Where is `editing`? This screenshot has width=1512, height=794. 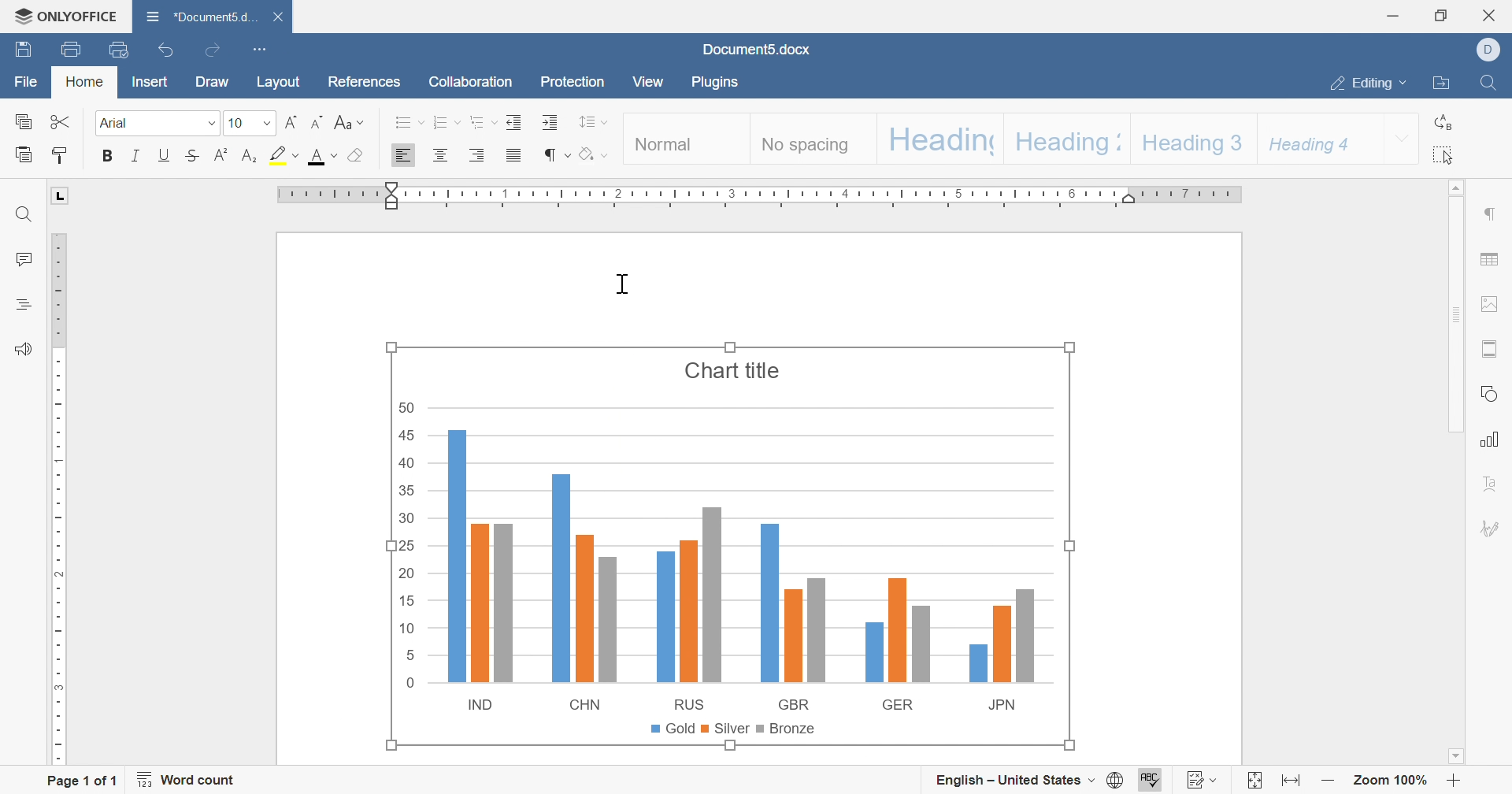 editing is located at coordinates (1369, 84).